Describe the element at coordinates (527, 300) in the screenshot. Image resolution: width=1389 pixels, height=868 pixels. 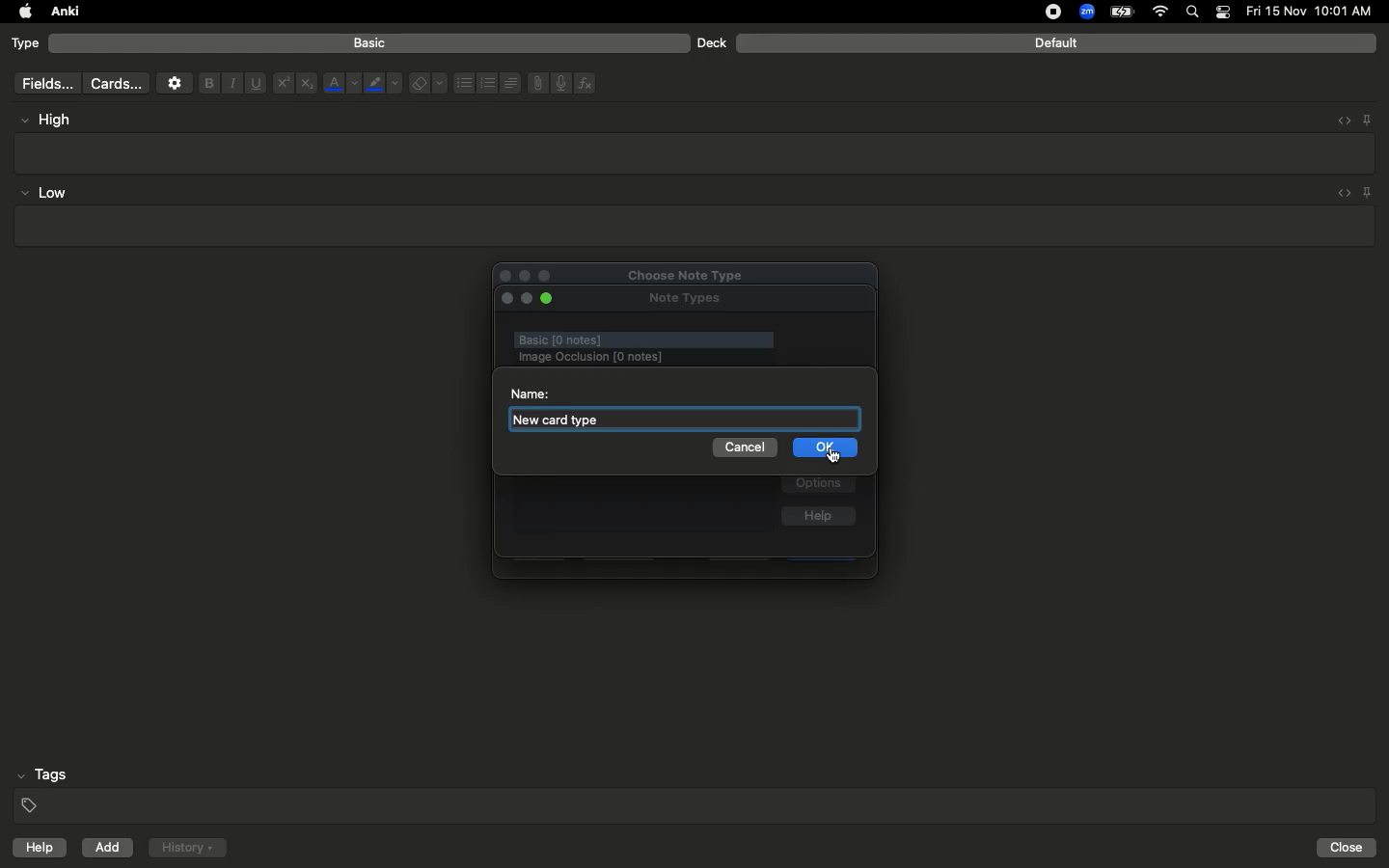
I see `minimize` at that location.